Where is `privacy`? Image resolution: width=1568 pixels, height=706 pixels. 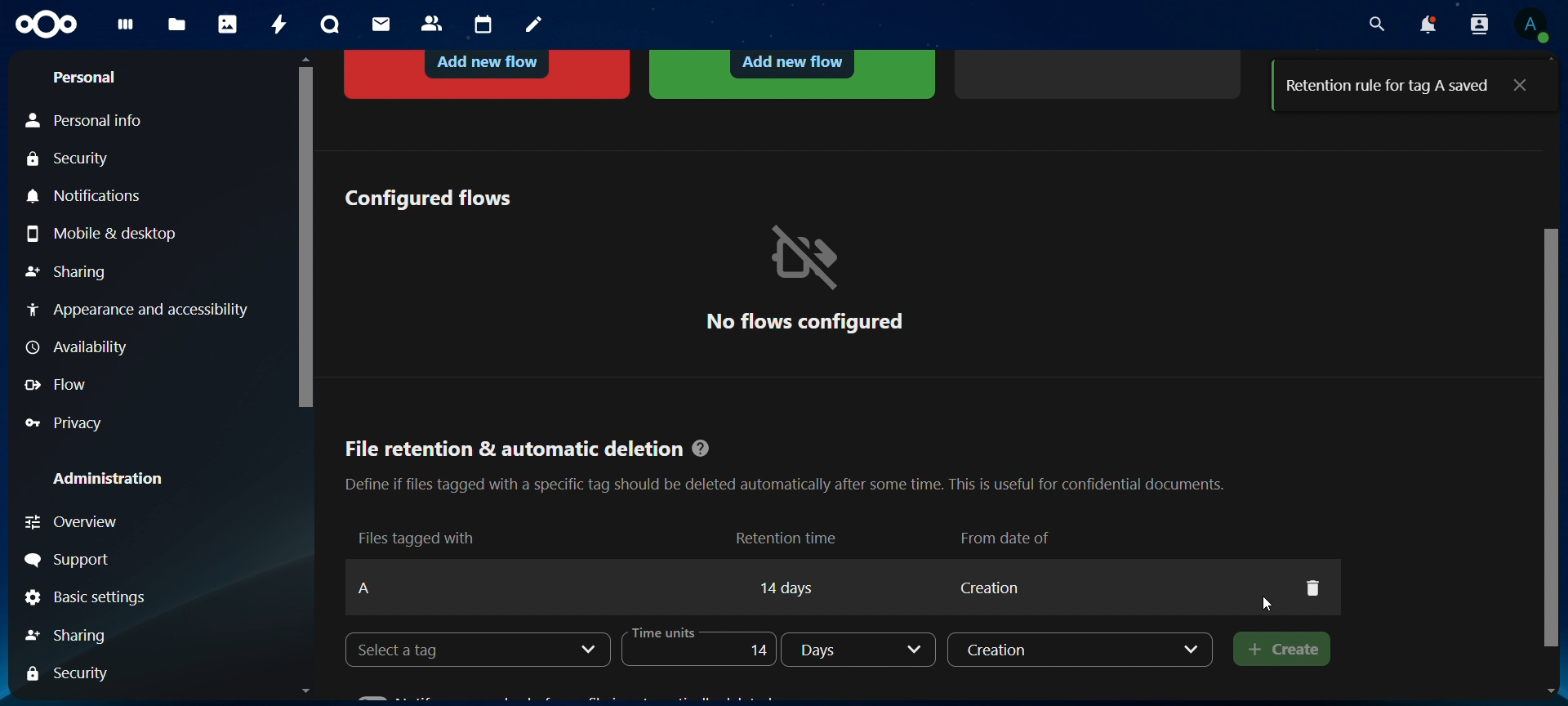 privacy is located at coordinates (74, 422).